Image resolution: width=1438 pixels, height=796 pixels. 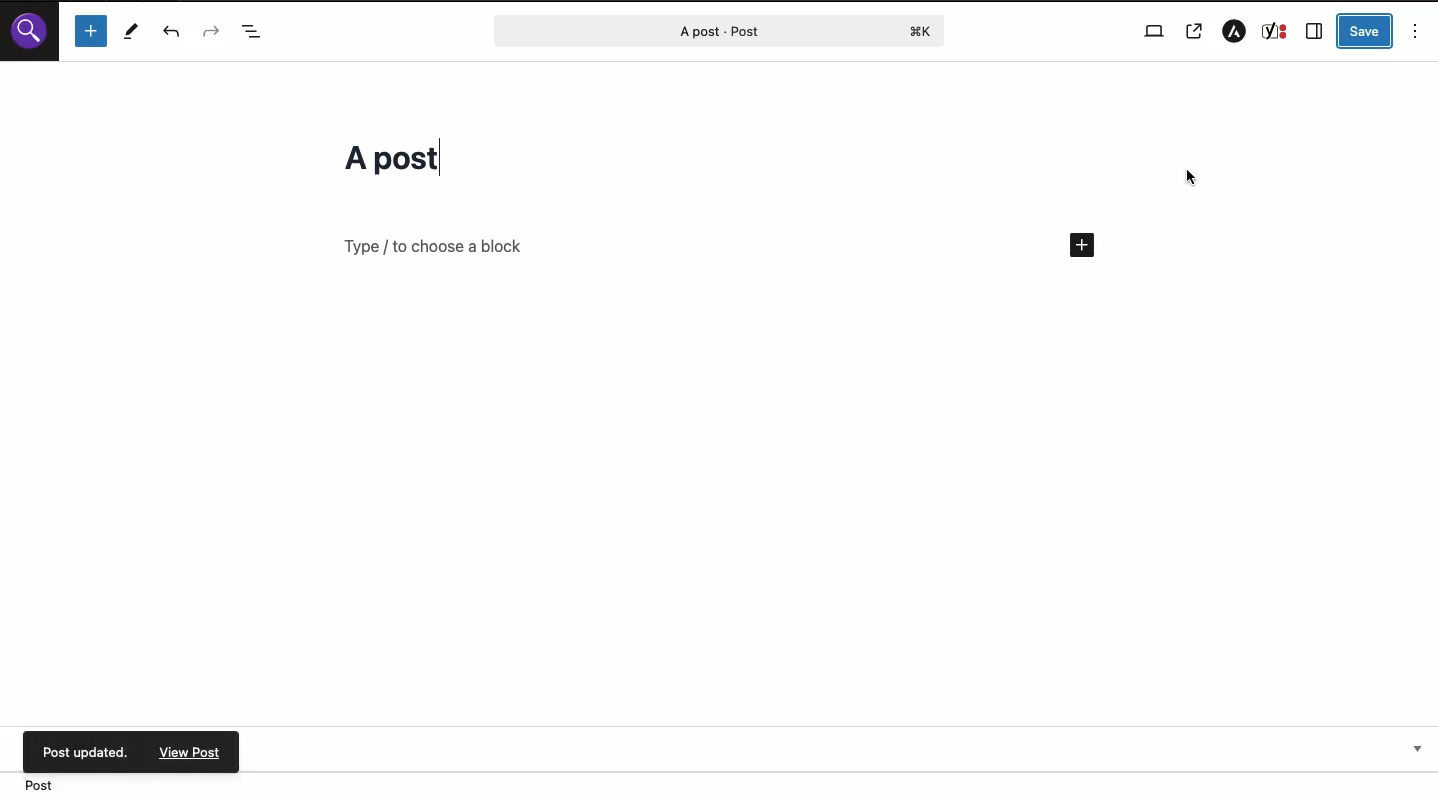 I want to click on Document overview, so click(x=252, y=33).